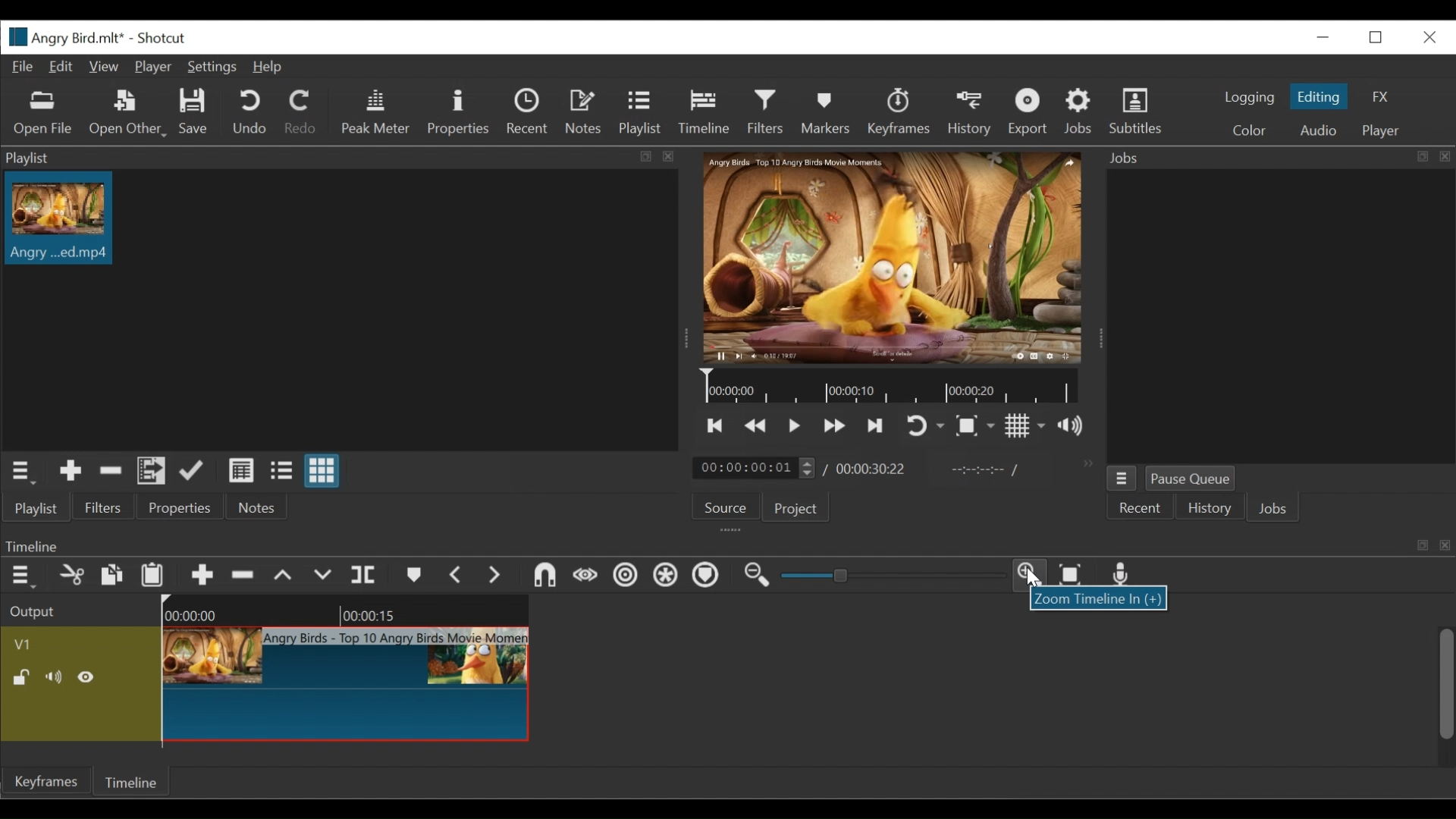 The width and height of the screenshot is (1456, 819). I want to click on Split at playhead, so click(366, 573).